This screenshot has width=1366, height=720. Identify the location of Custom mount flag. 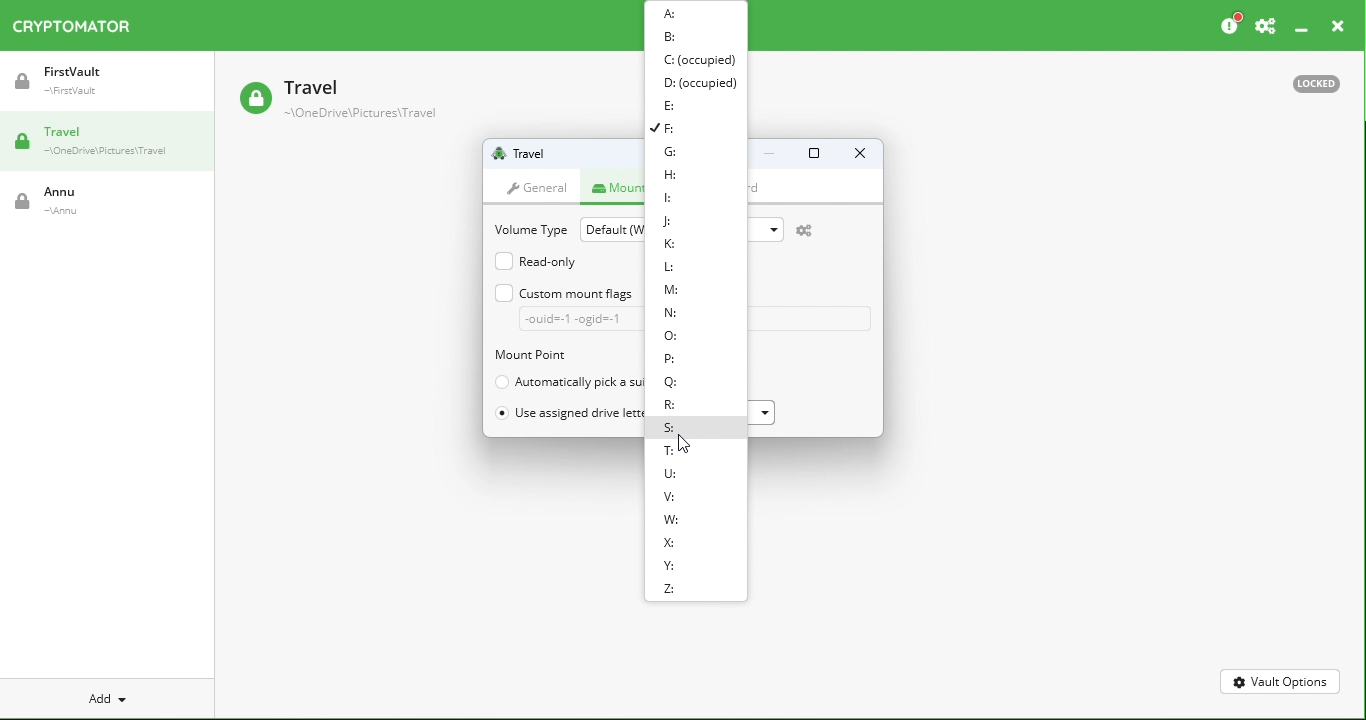
(564, 306).